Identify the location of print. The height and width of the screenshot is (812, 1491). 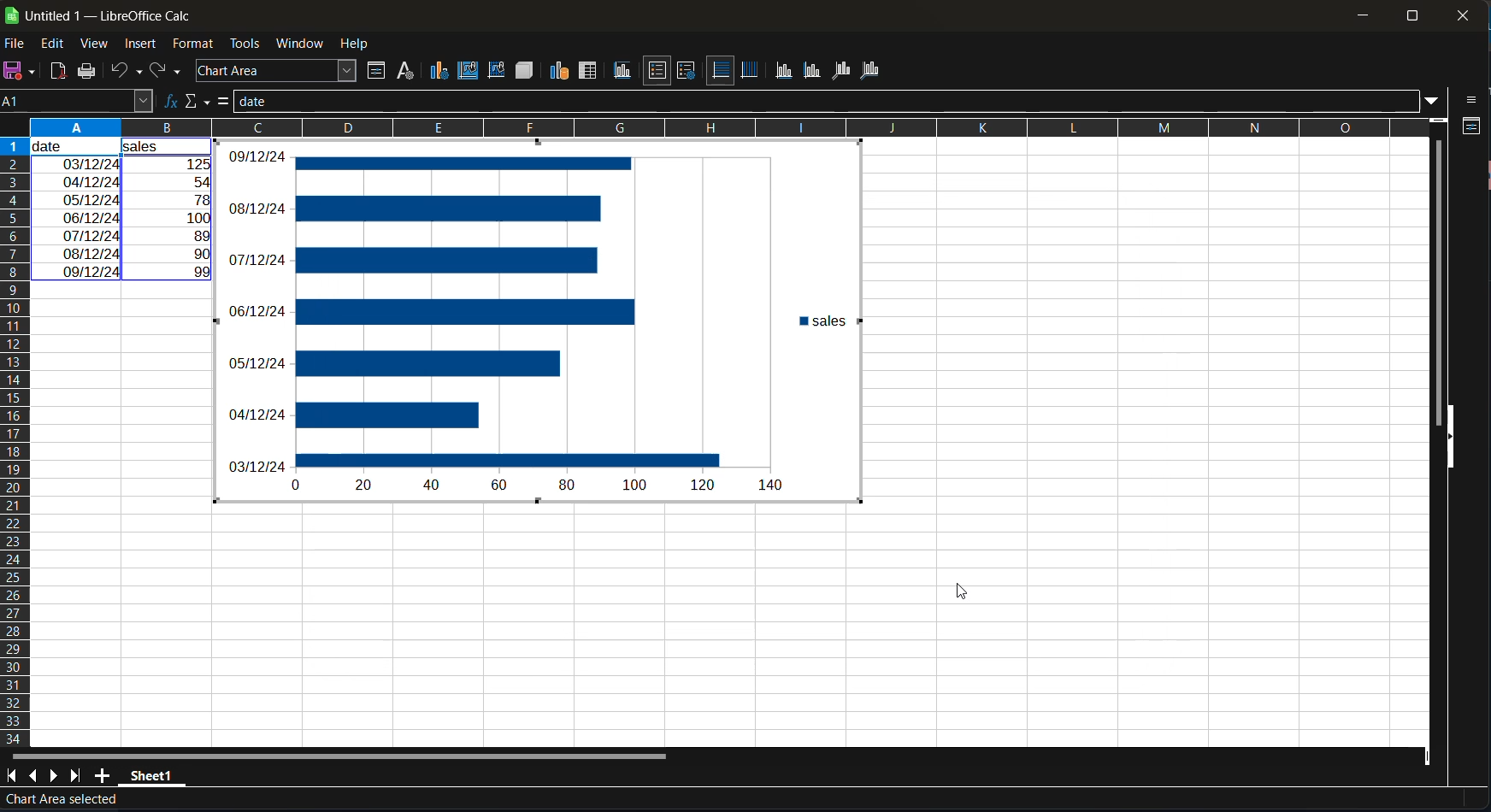
(93, 72).